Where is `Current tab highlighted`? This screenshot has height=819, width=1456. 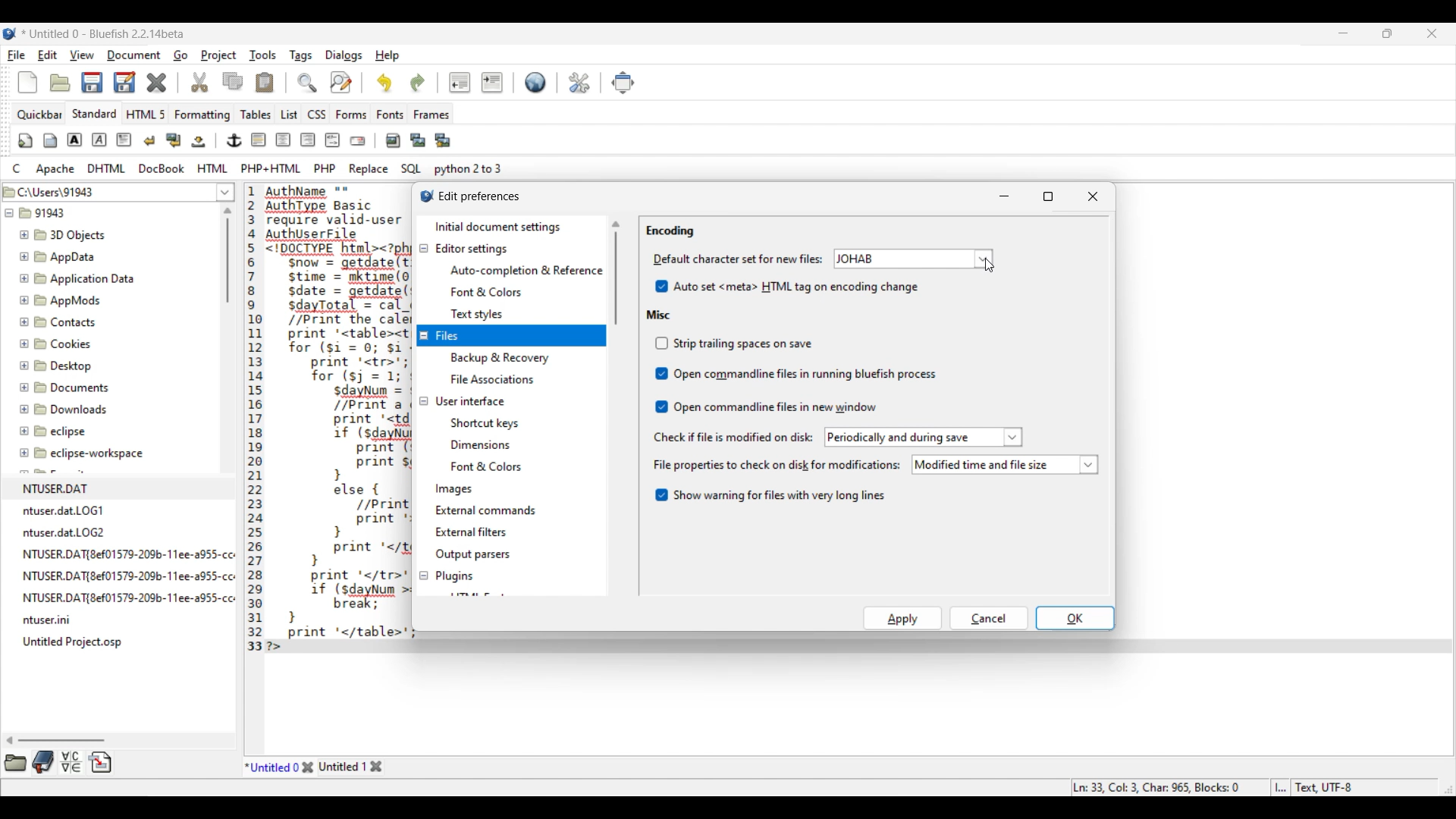
Current tab highlighted is located at coordinates (272, 766).